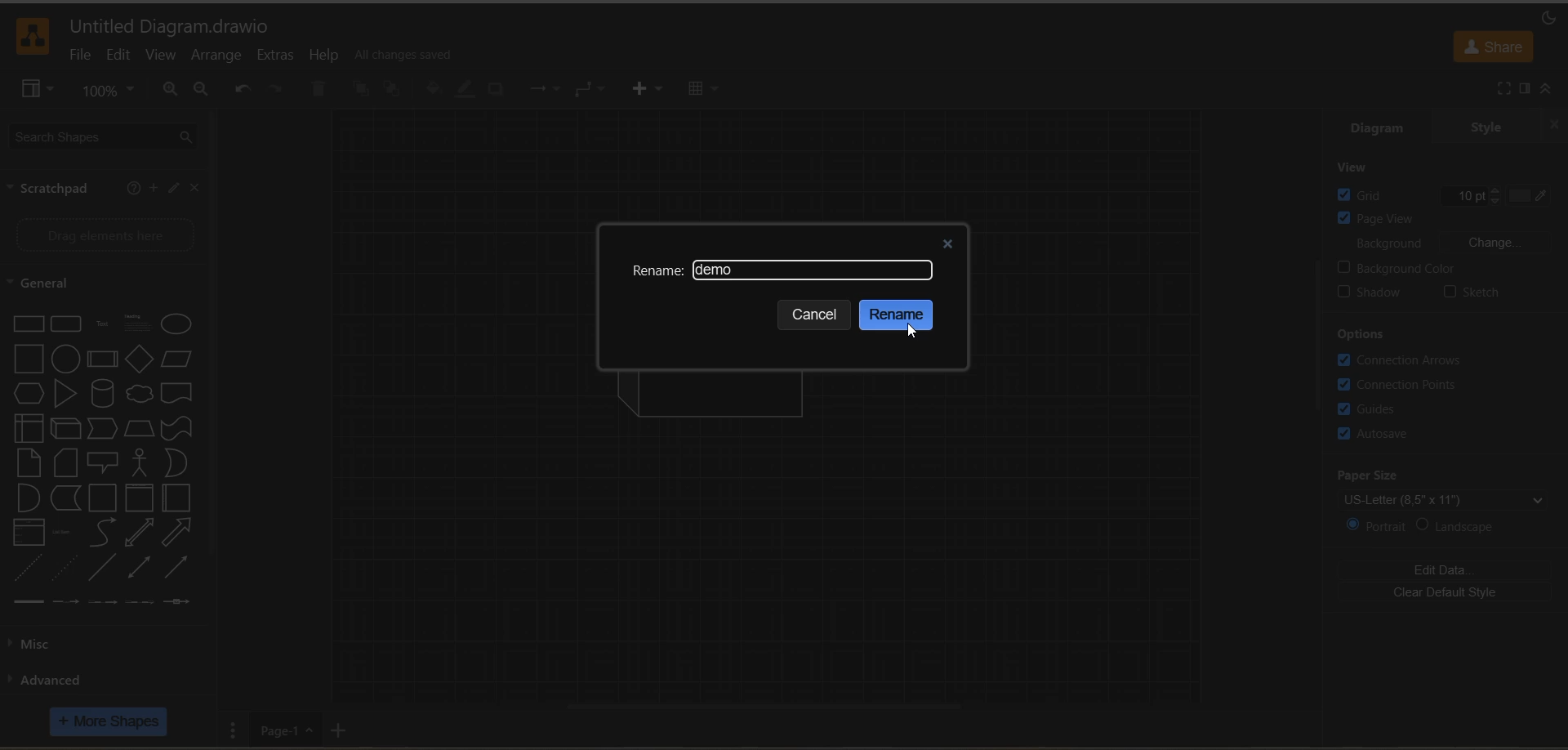  What do you see at coordinates (719, 270) in the screenshot?
I see `page name` at bounding box center [719, 270].